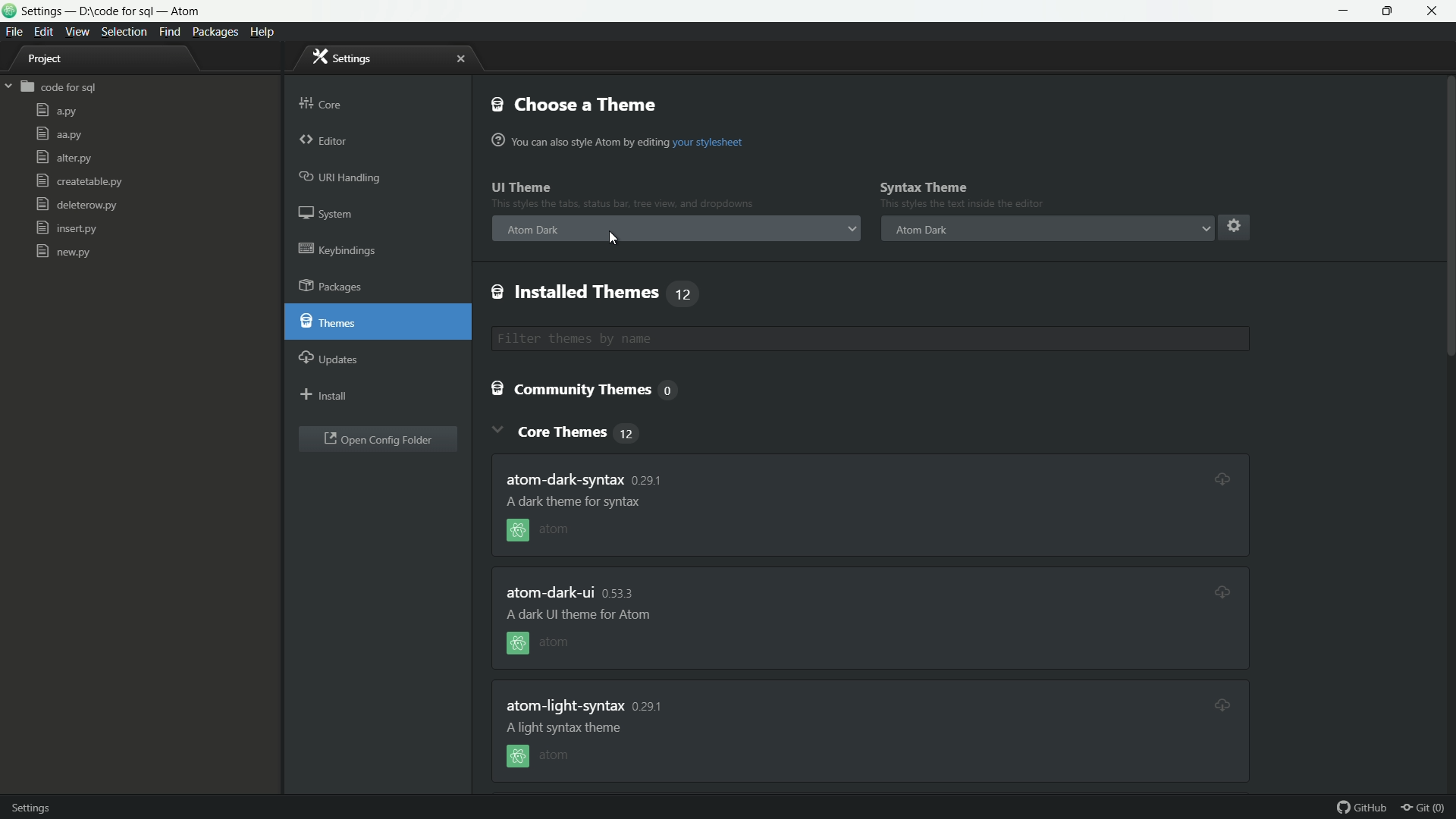 The image size is (1456, 819). I want to click on minimize, so click(1345, 11).